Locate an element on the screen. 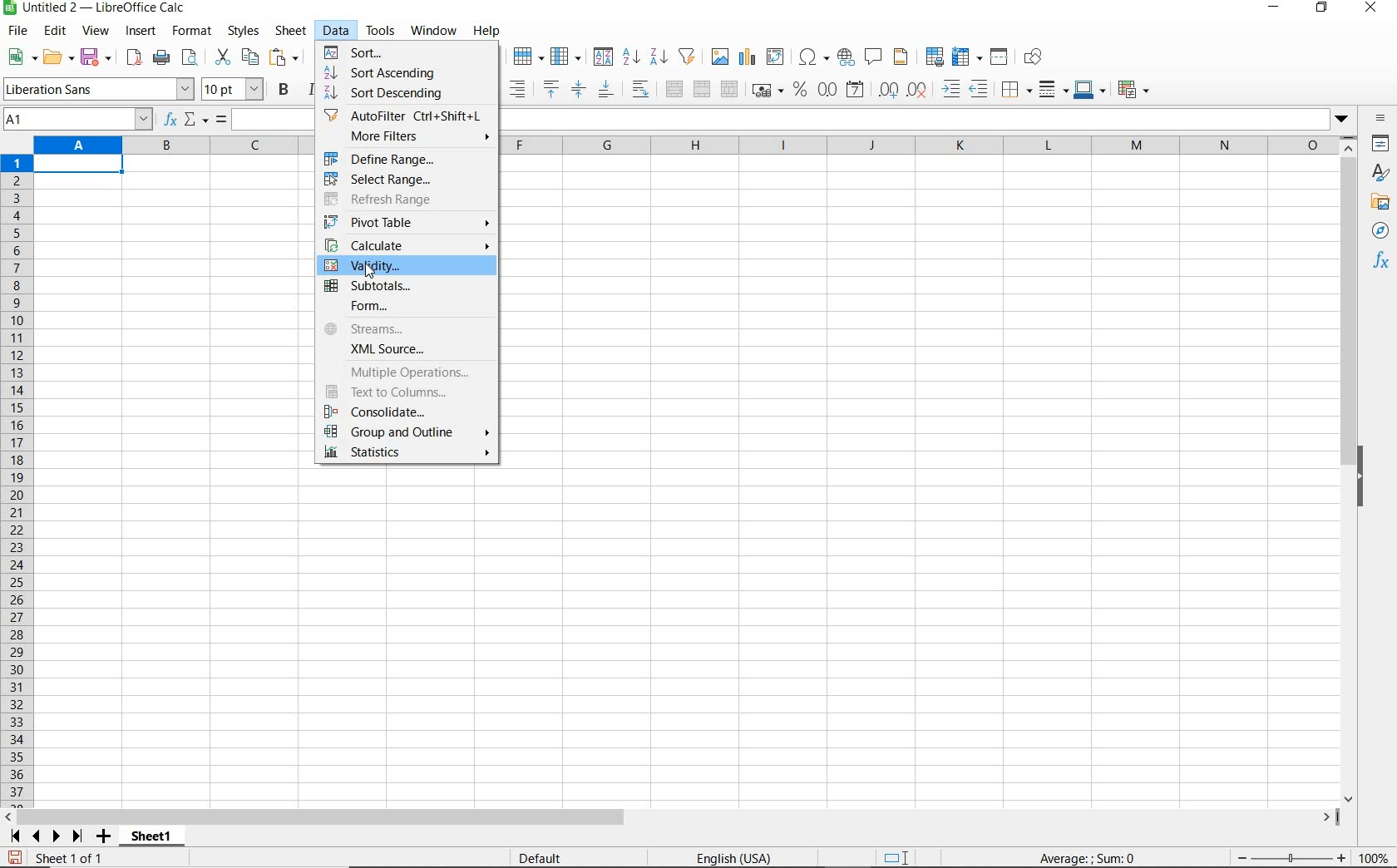 Image resolution: width=1397 pixels, height=868 pixels. column is located at coordinates (567, 57).